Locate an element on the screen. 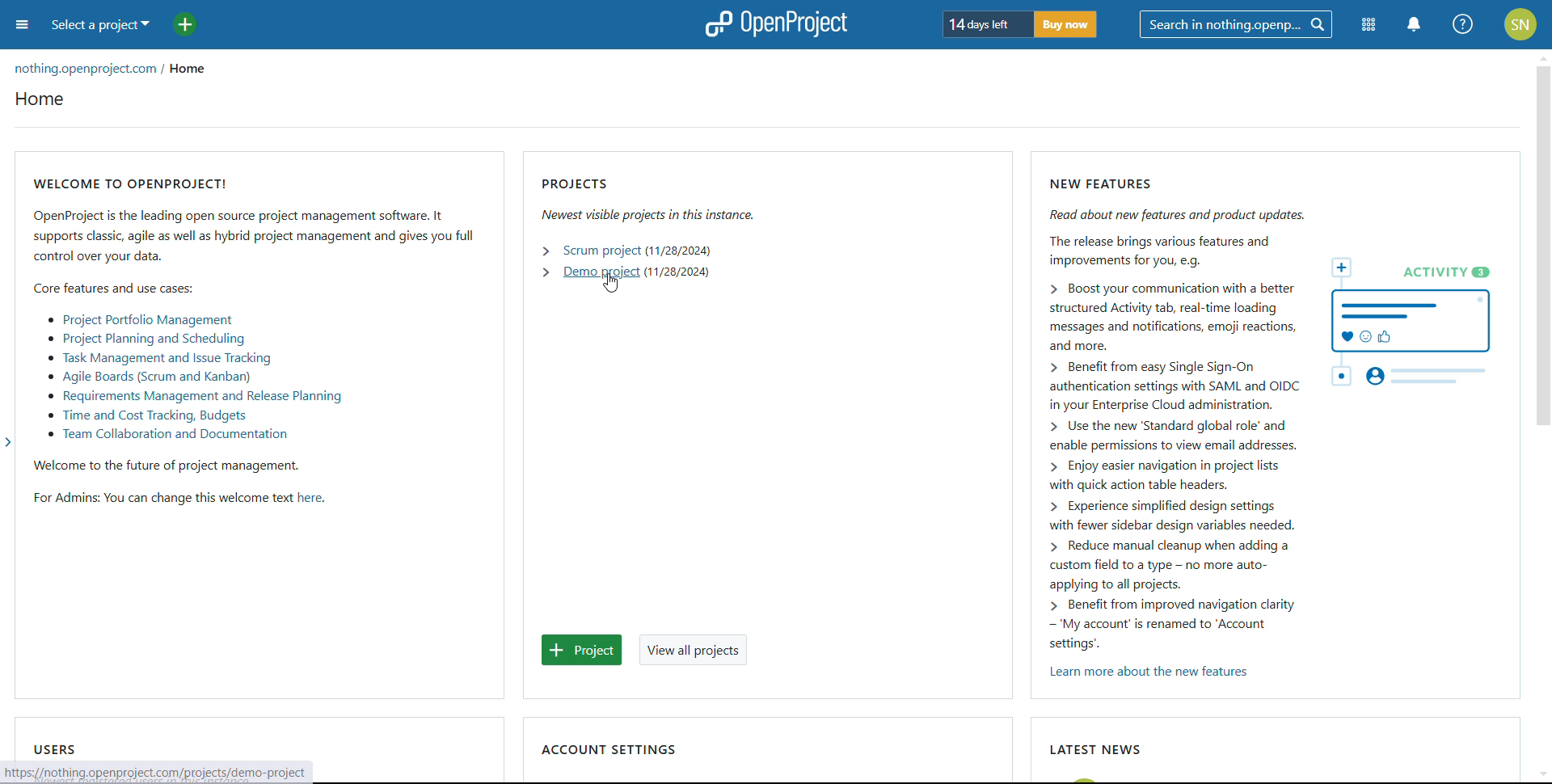 Image resolution: width=1552 pixels, height=784 pixels. buy now is located at coordinates (1065, 24).